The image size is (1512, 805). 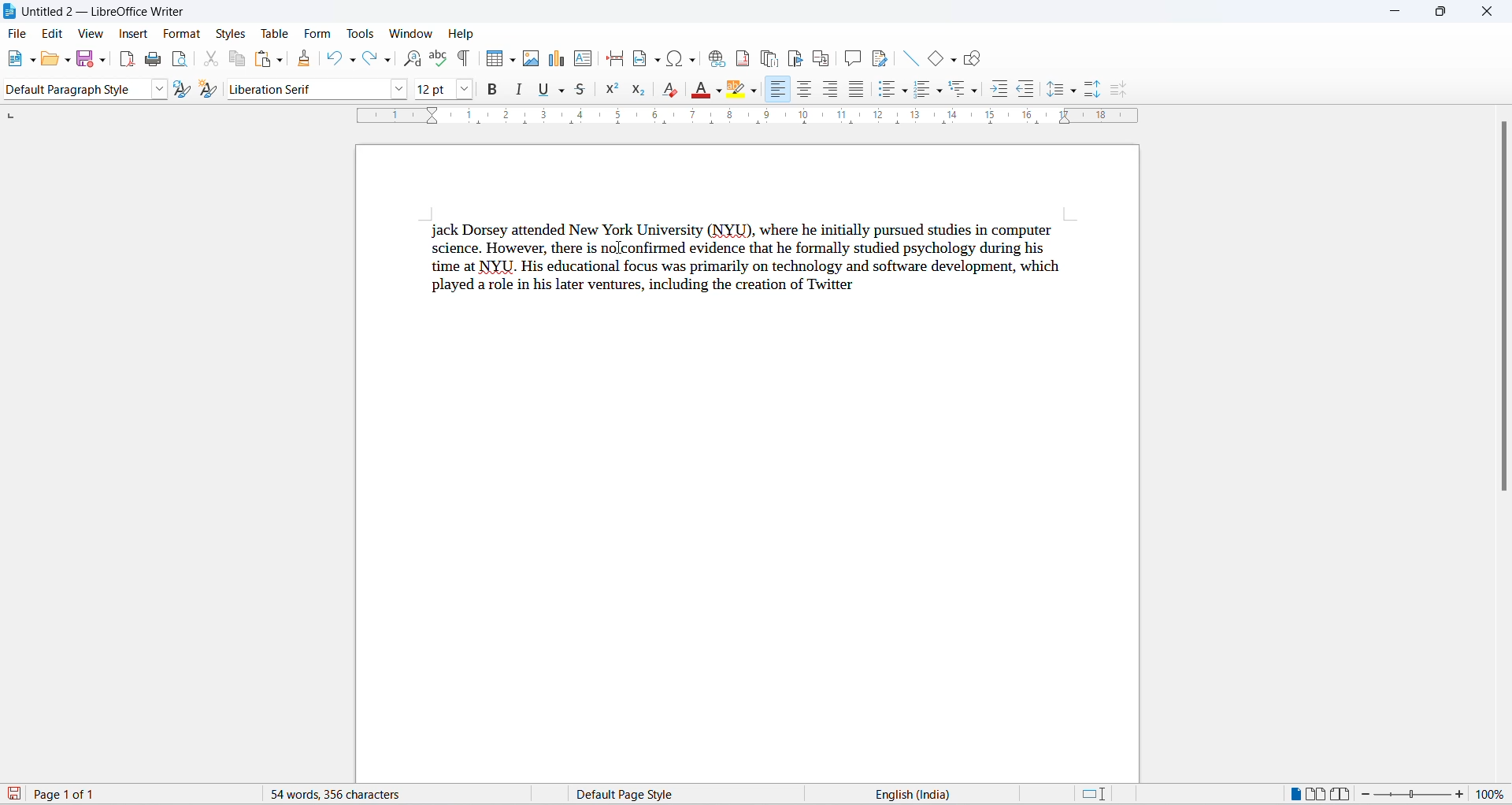 What do you see at coordinates (1494, 796) in the screenshot?
I see `zoom percentage` at bounding box center [1494, 796].